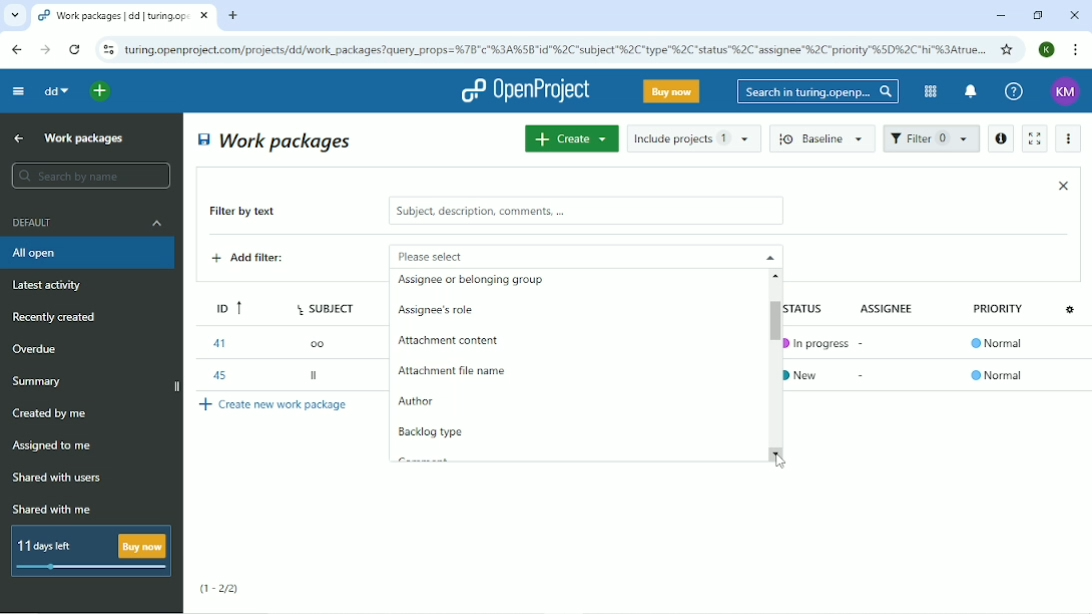 The image size is (1092, 614). What do you see at coordinates (43, 50) in the screenshot?
I see `Forward` at bounding box center [43, 50].